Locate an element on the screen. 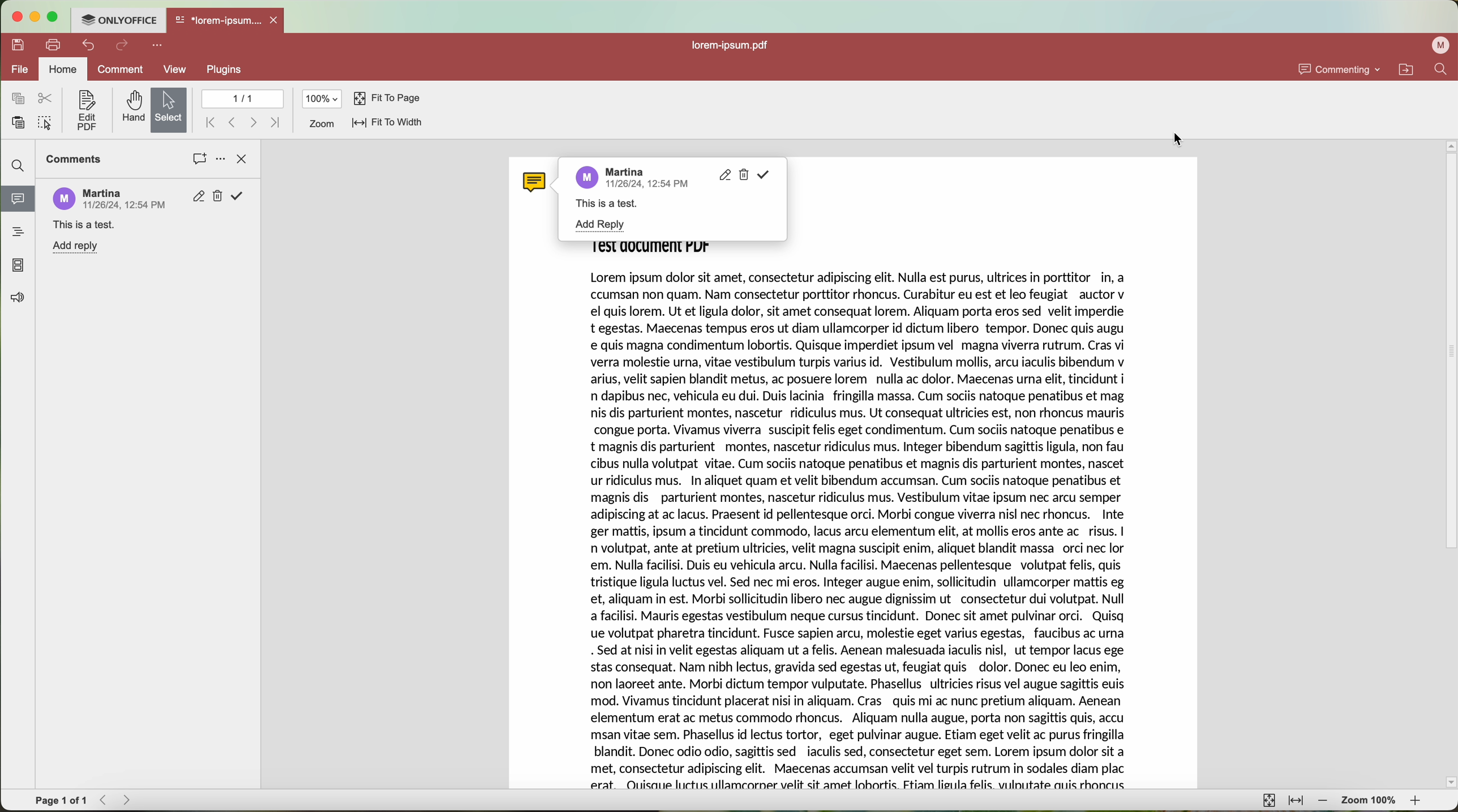 This screenshot has width=1458, height=812. add reply is located at coordinates (599, 225).